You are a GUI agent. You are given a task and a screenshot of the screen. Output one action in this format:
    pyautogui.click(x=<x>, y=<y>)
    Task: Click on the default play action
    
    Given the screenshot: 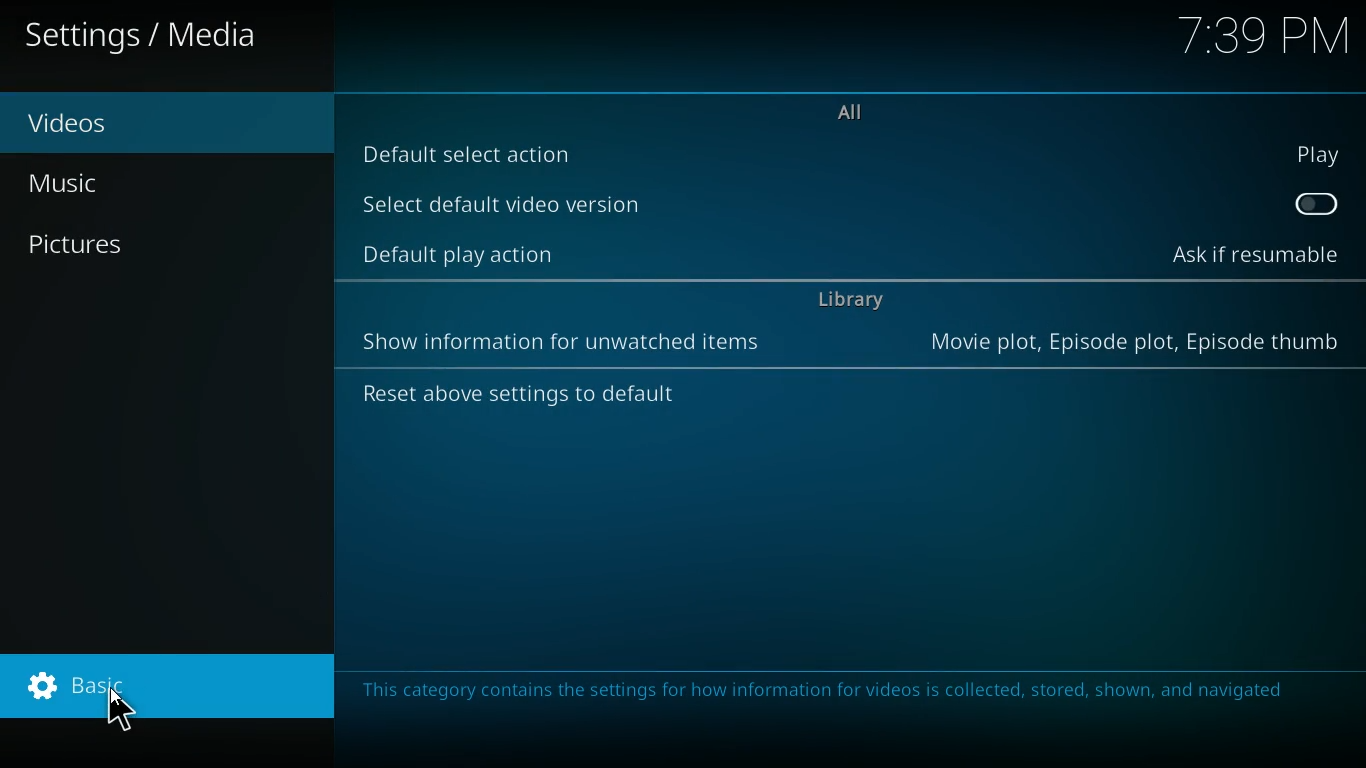 What is the action you would take?
    pyautogui.click(x=476, y=255)
    